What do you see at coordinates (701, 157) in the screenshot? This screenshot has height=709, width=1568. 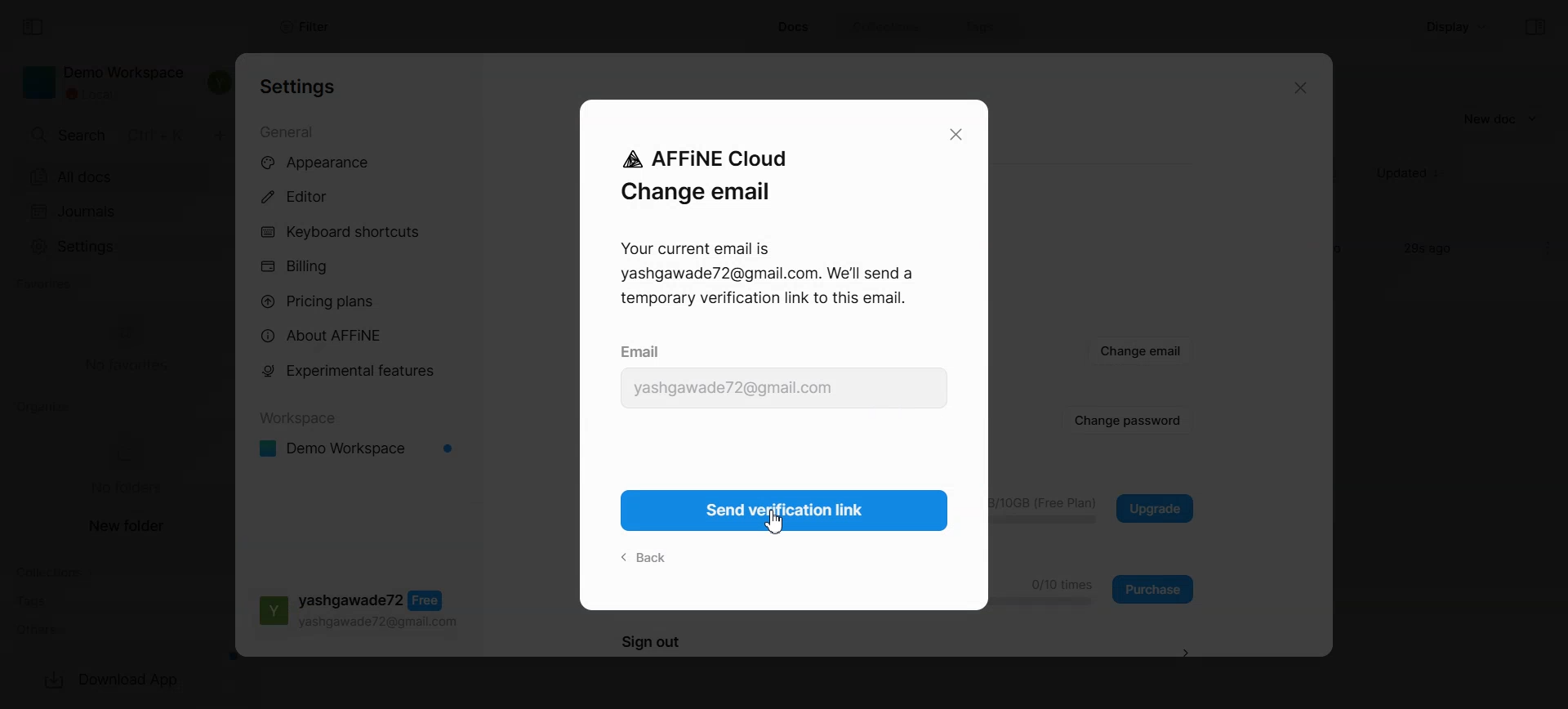 I see `affine cloud` at bounding box center [701, 157].